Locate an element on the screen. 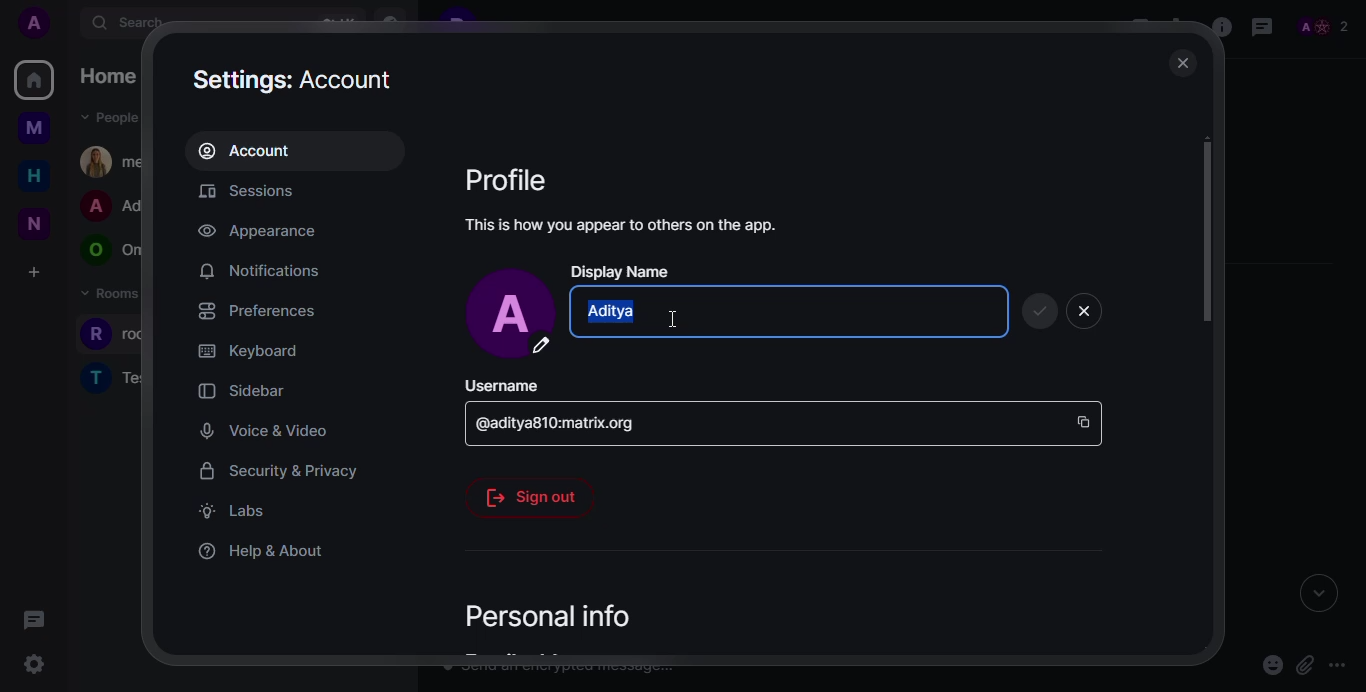 The height and width of the screenshot is (692, 1366). myspace is located at coordinates (34, 129).